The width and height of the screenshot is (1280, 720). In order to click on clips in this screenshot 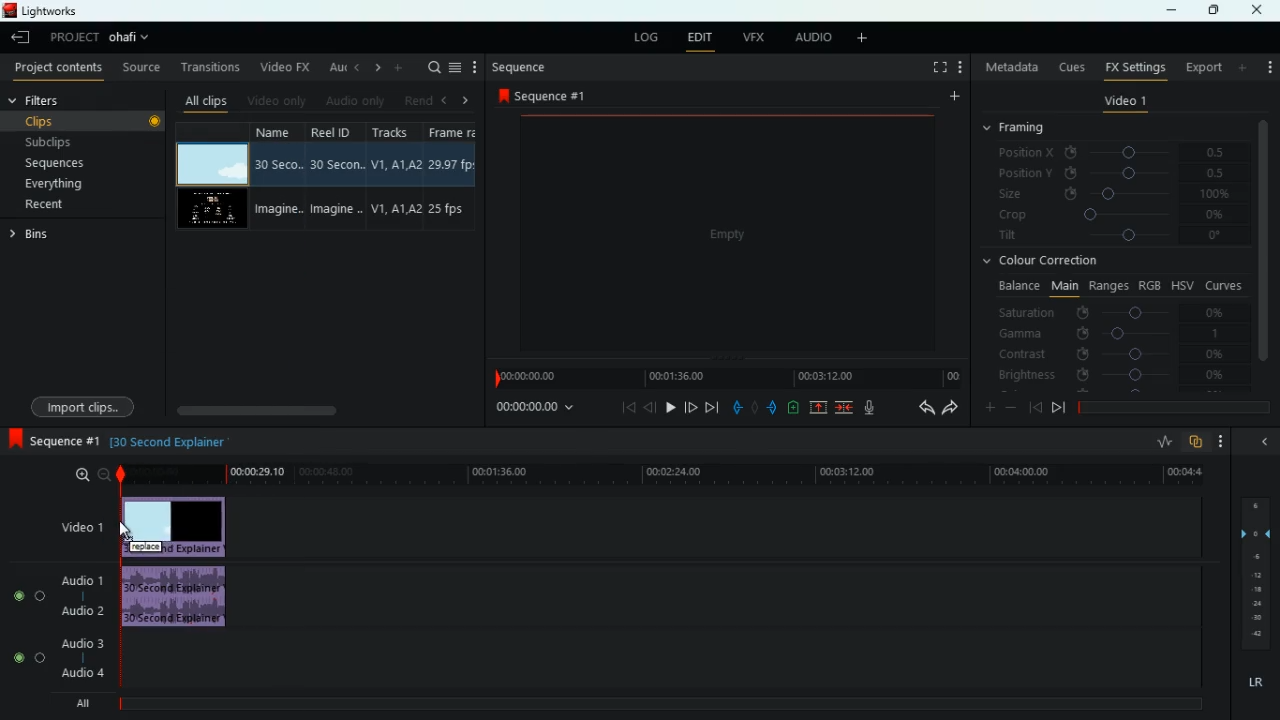, I will do `click(85, 121)`.